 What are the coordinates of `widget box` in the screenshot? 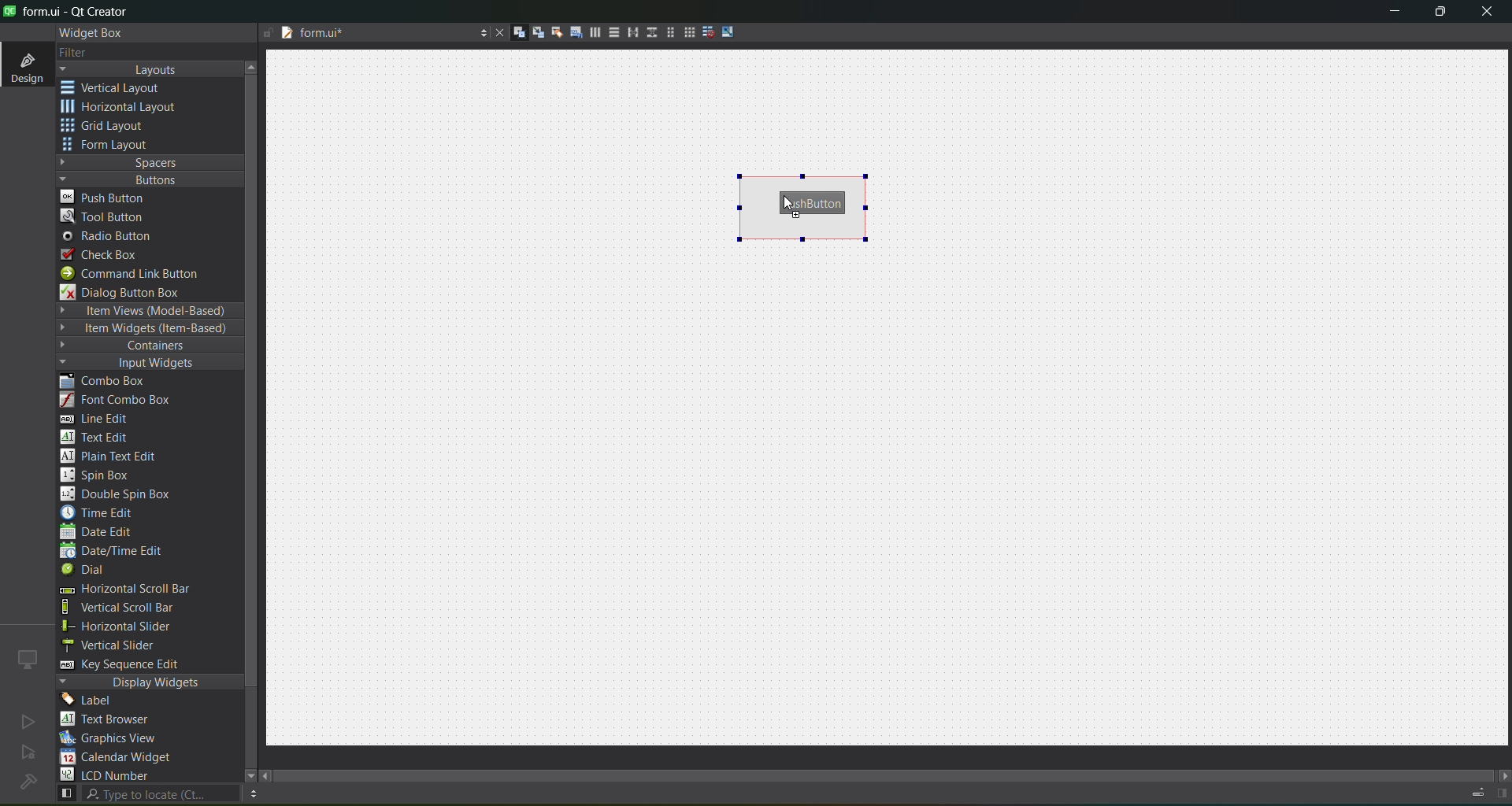 It's located at (94, 33).